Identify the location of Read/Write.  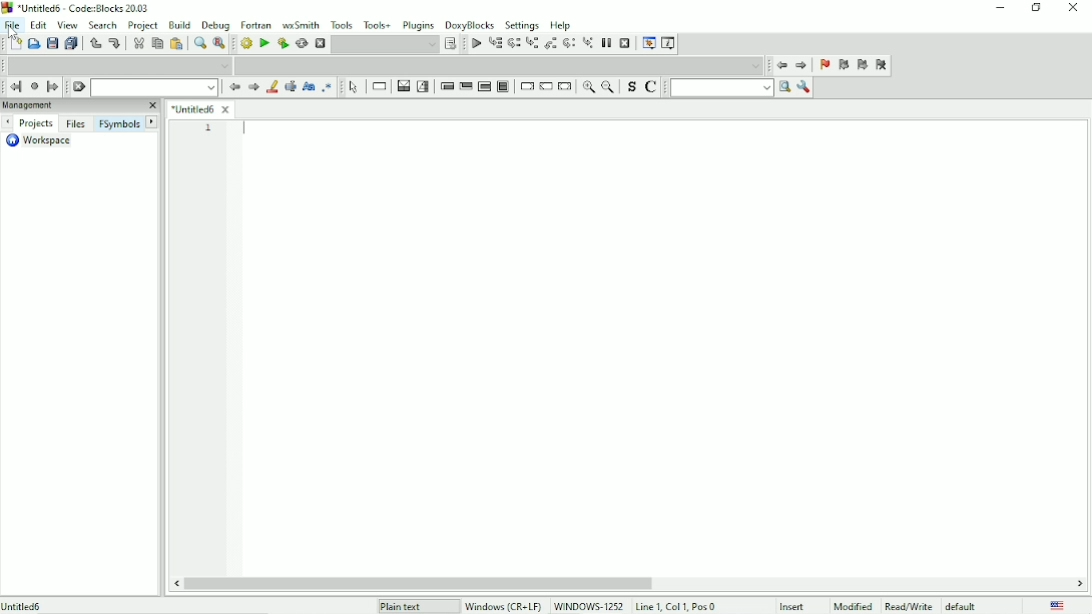
(908, 604).